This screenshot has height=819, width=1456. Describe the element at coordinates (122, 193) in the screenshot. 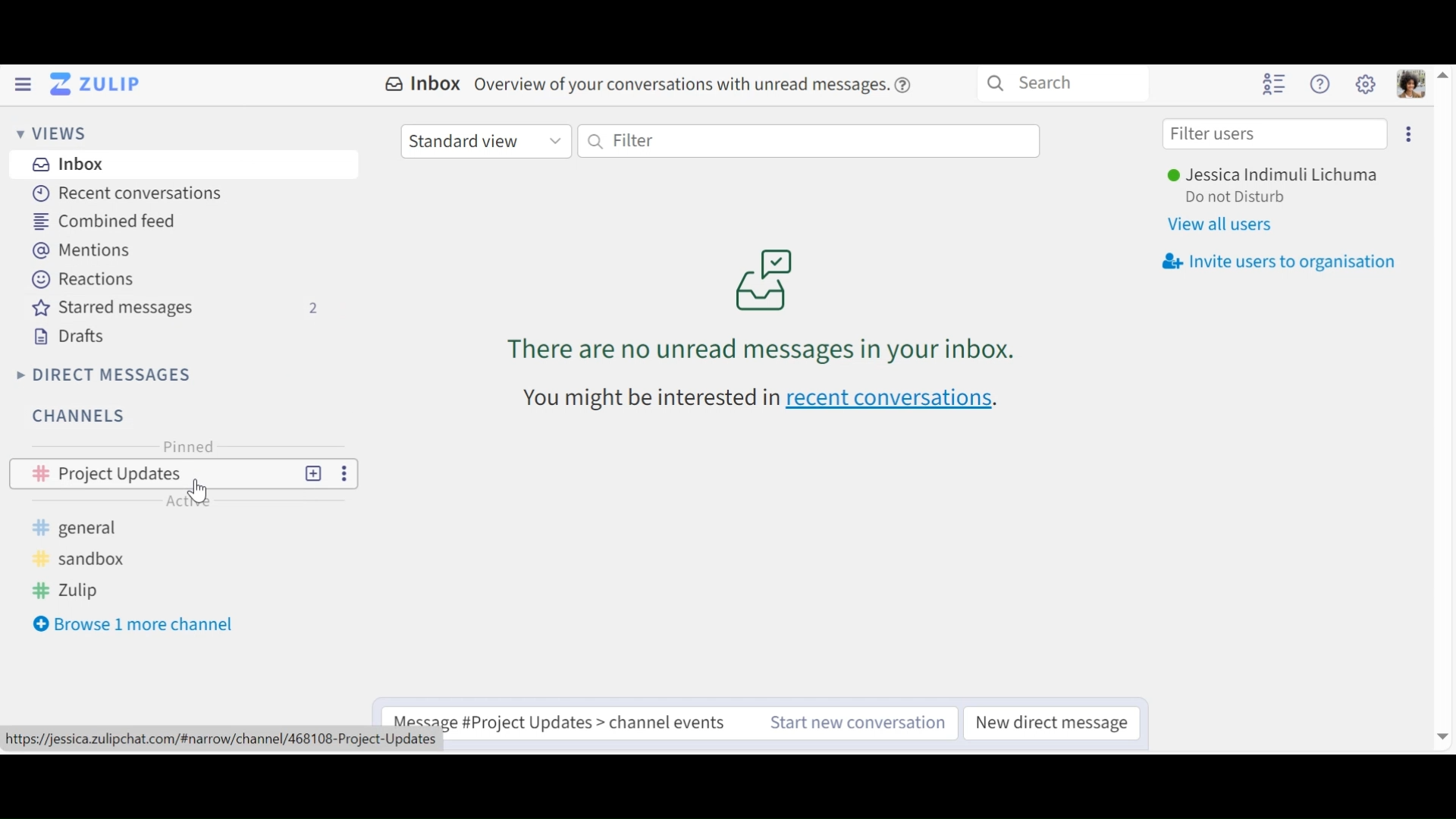

I see `Recent Conversations` at that location.